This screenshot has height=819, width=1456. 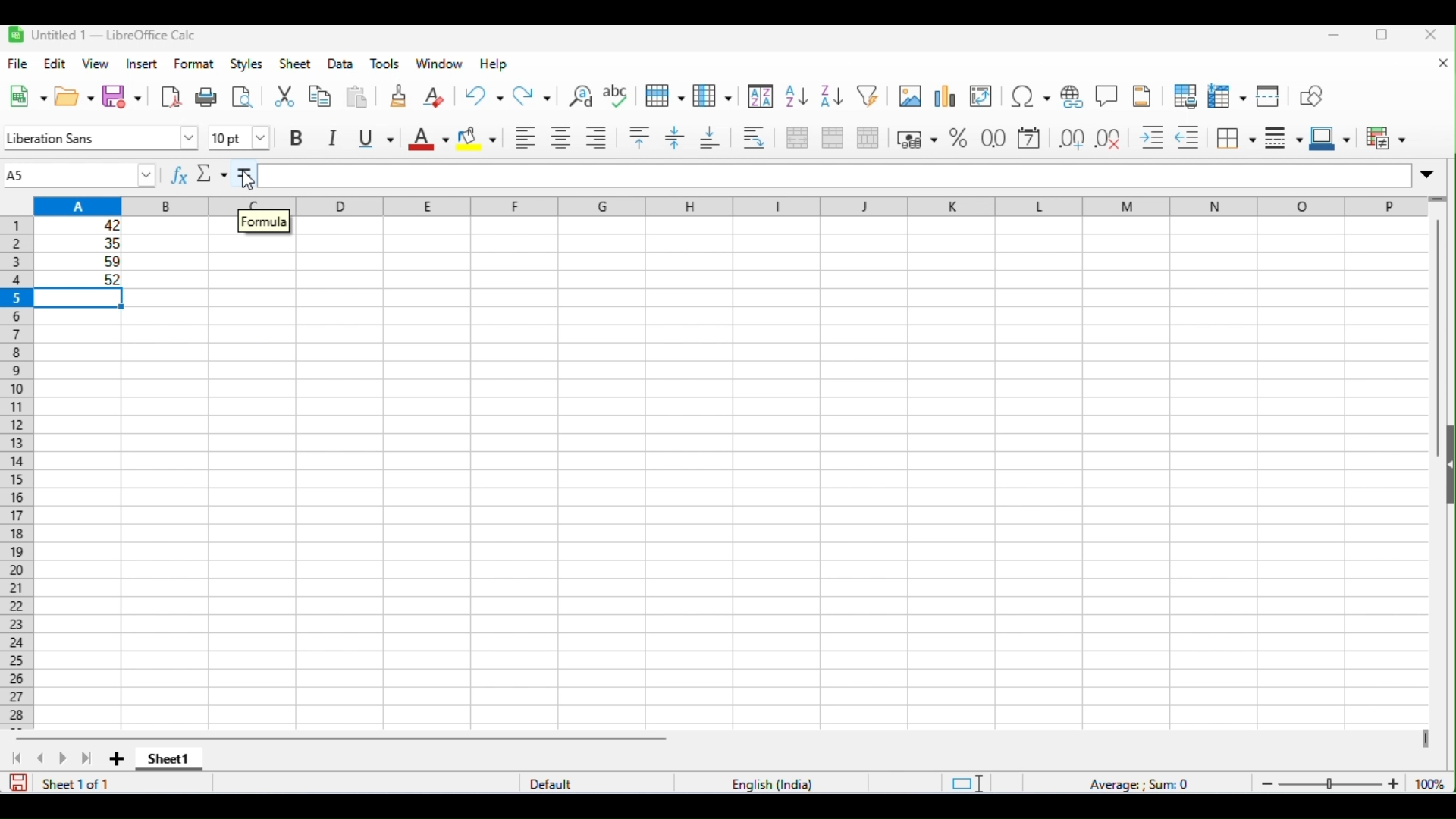 What do you see at coordinates (141, 64) in the screenshot?
I see `insert` at bounding box center [141, 64].